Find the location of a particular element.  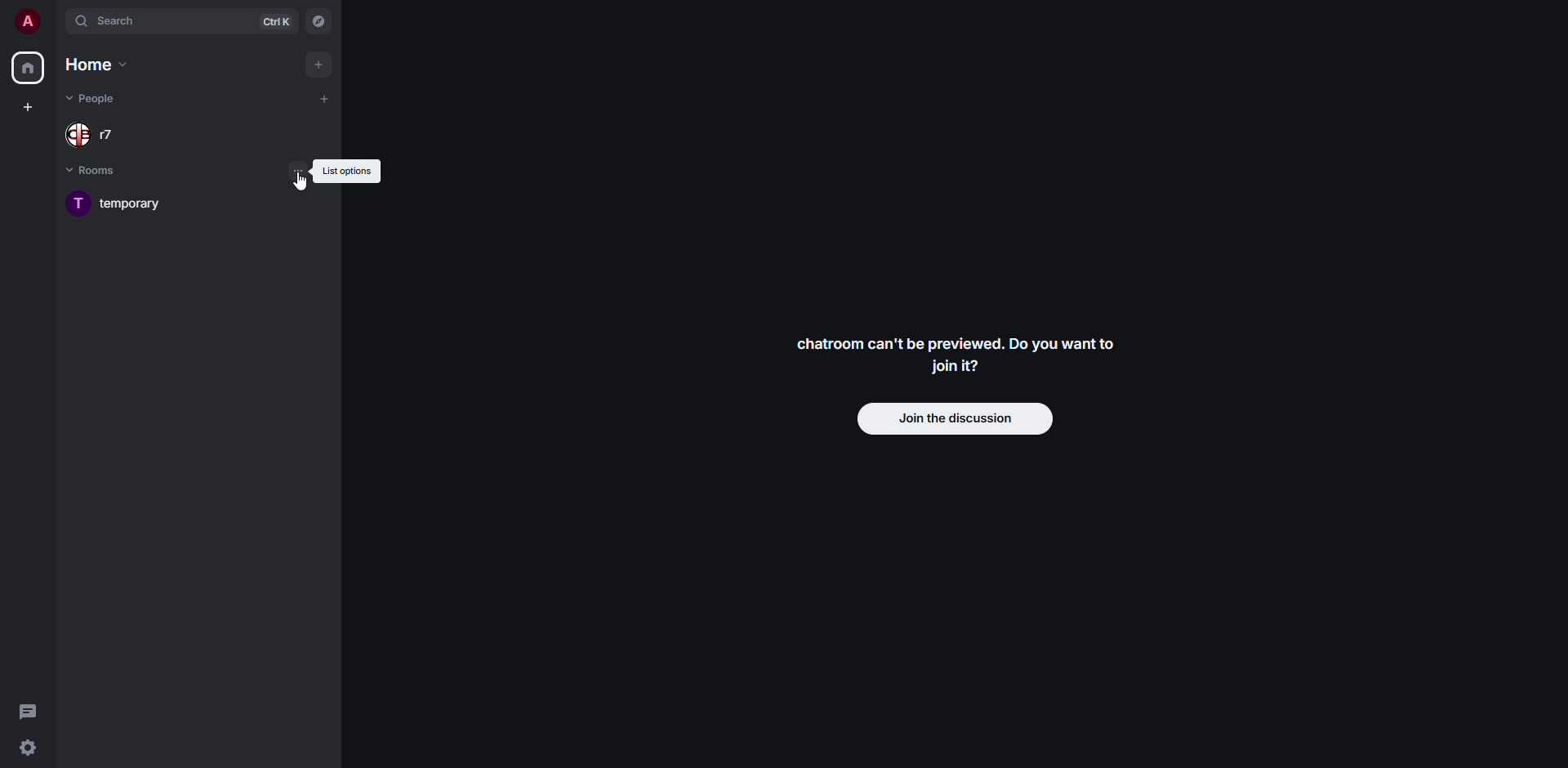

quick settings is located at coordinates (28, 748).